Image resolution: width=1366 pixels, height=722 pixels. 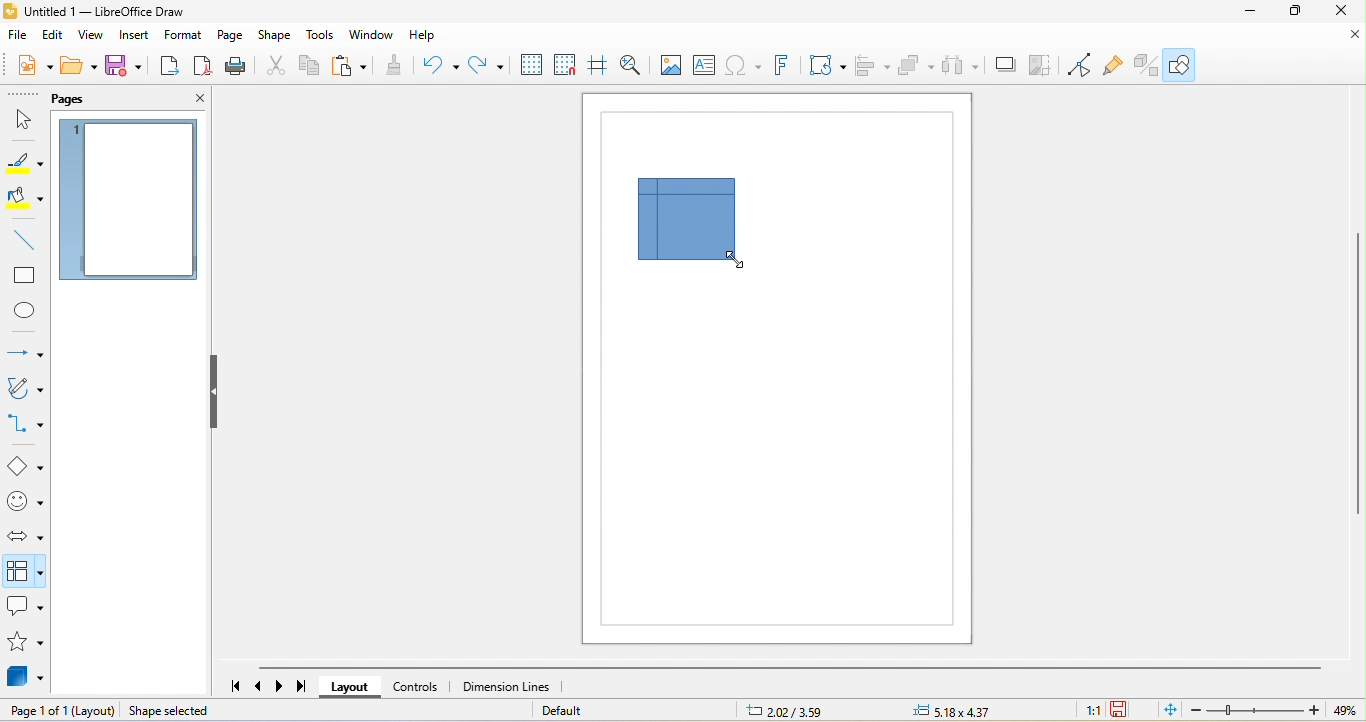 What do you see at coordinates (970, 710) in the screenshot?
I see `5.18 x 4.37` at bounding box center [970, 710].